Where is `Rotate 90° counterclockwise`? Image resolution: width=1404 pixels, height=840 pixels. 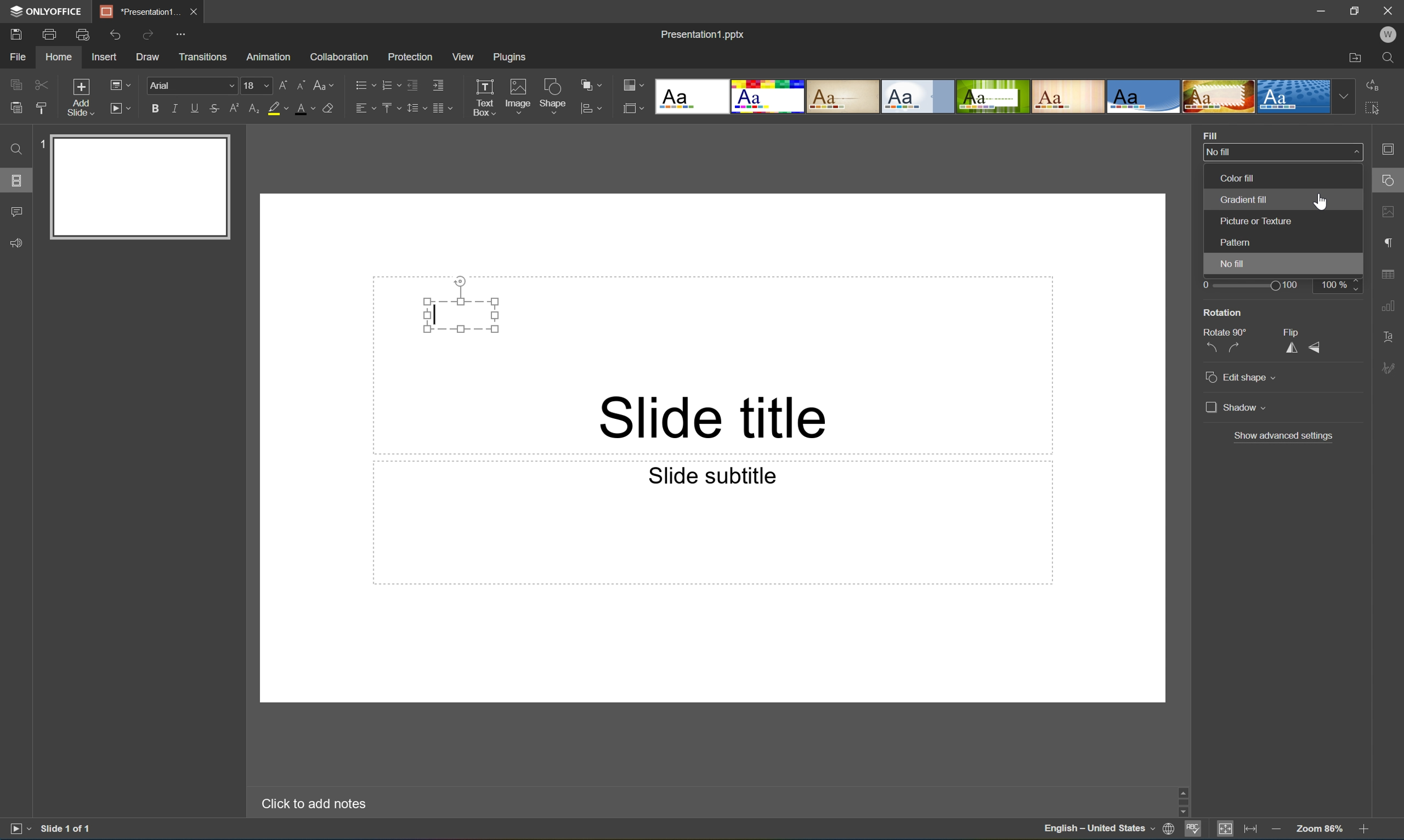 Rotate 90° counterclockwise is located at coordinates (1209, 348).